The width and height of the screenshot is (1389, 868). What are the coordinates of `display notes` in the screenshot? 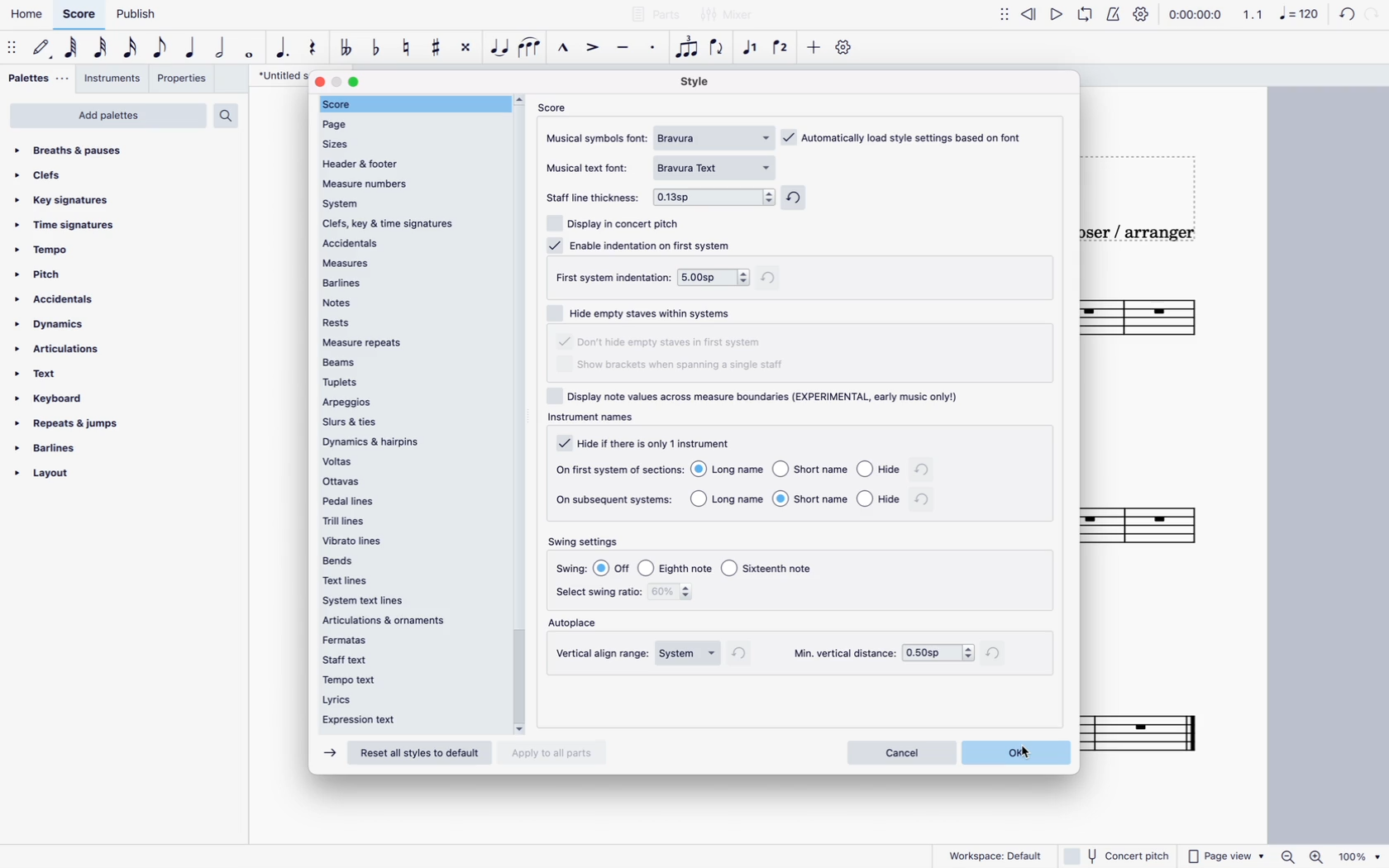 It's located at (761, 396).